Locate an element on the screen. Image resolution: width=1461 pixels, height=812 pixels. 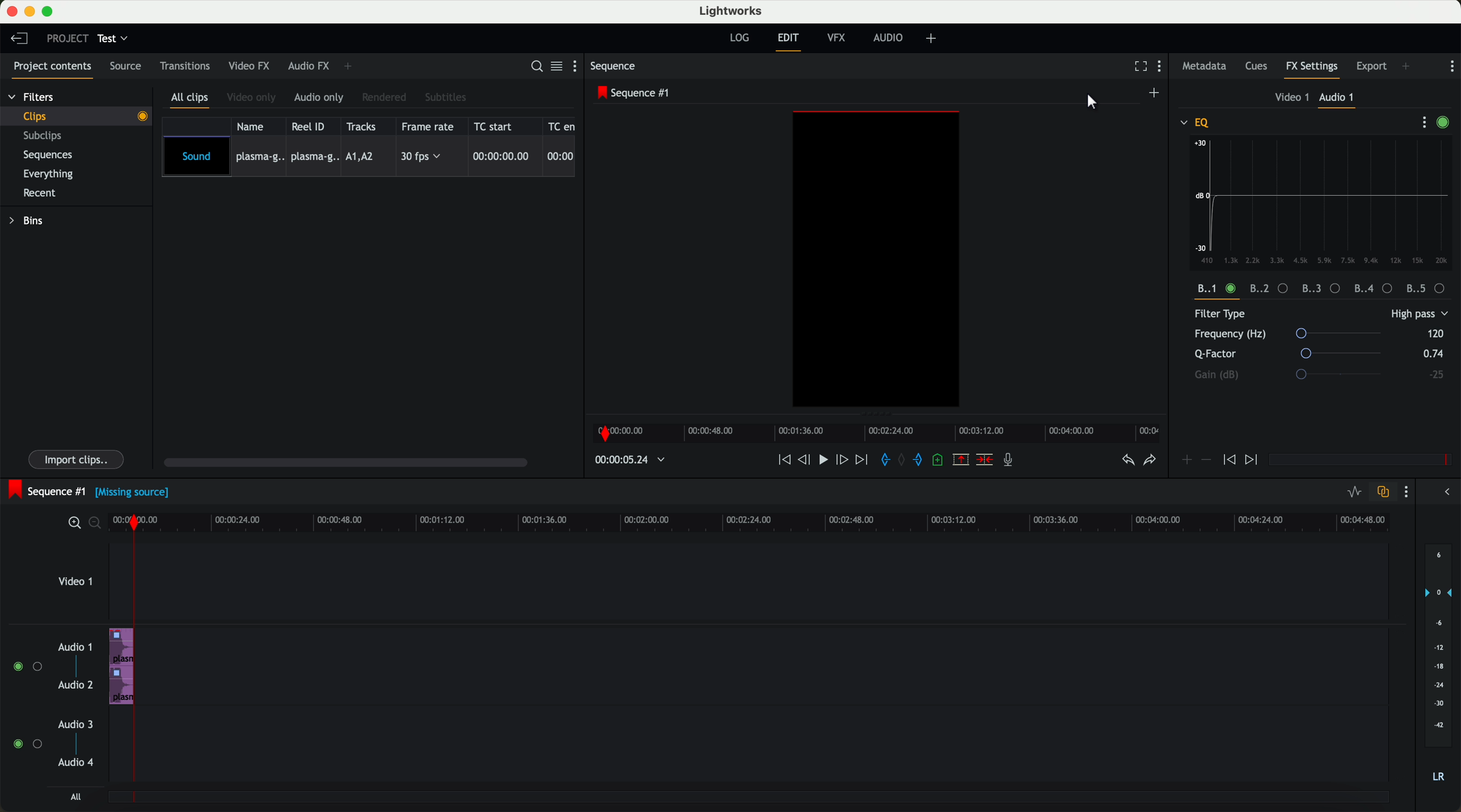
enable is located at coordinates (1446, 123).